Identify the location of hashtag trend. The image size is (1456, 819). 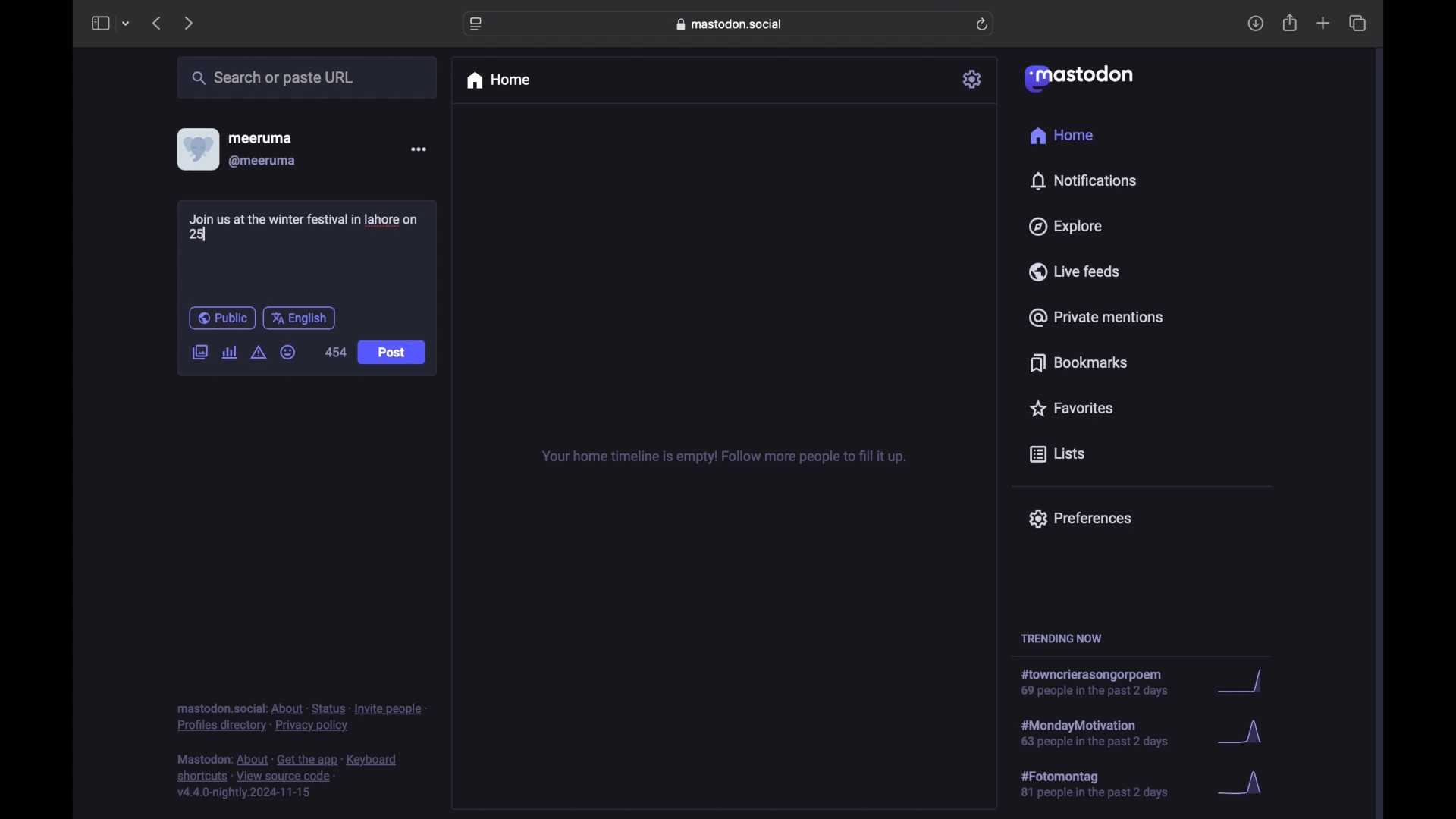
(1103, 683).